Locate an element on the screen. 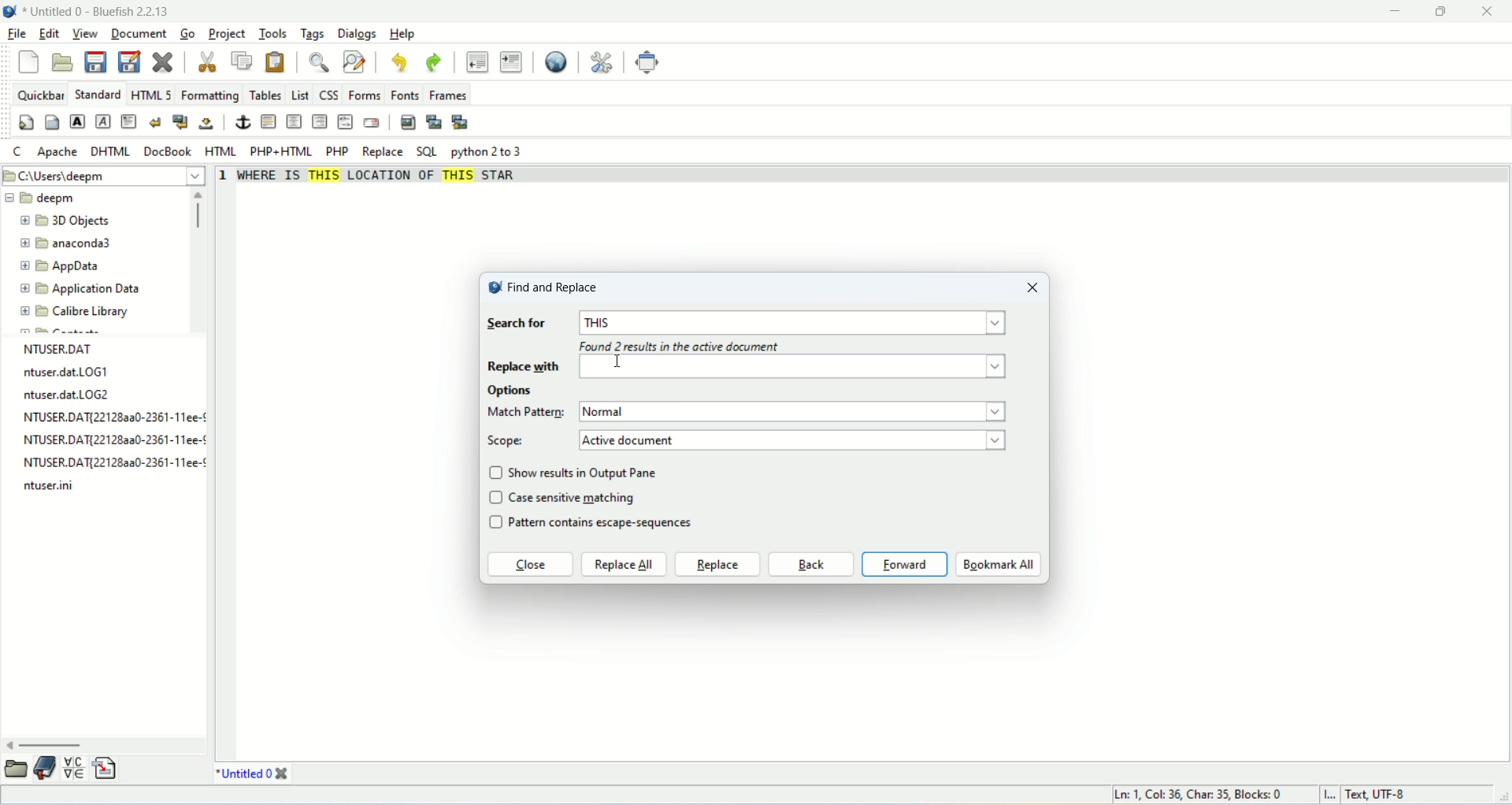  maximize is located at coordinates (1452, 12).